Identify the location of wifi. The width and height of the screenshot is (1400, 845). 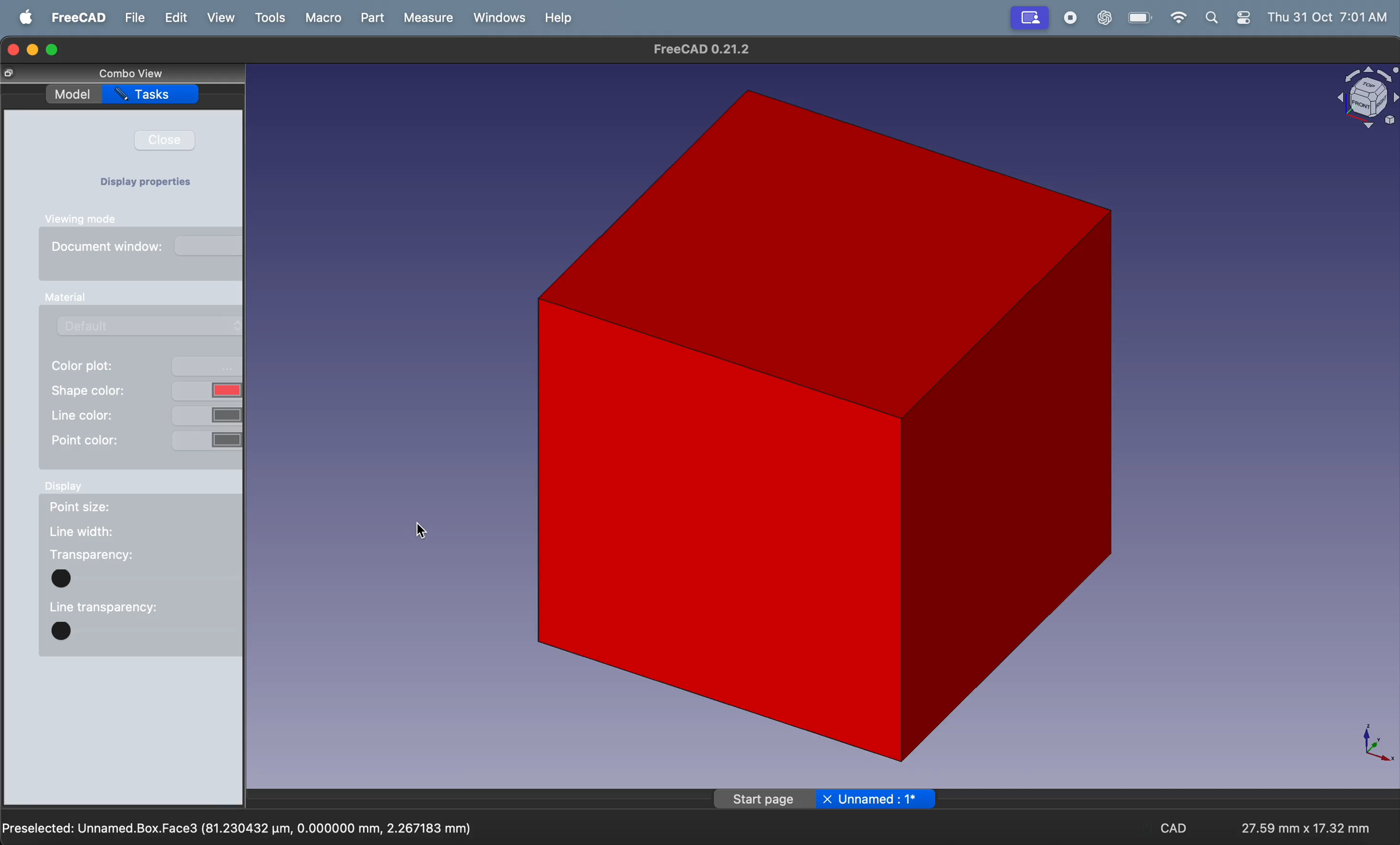
(1174, 18).